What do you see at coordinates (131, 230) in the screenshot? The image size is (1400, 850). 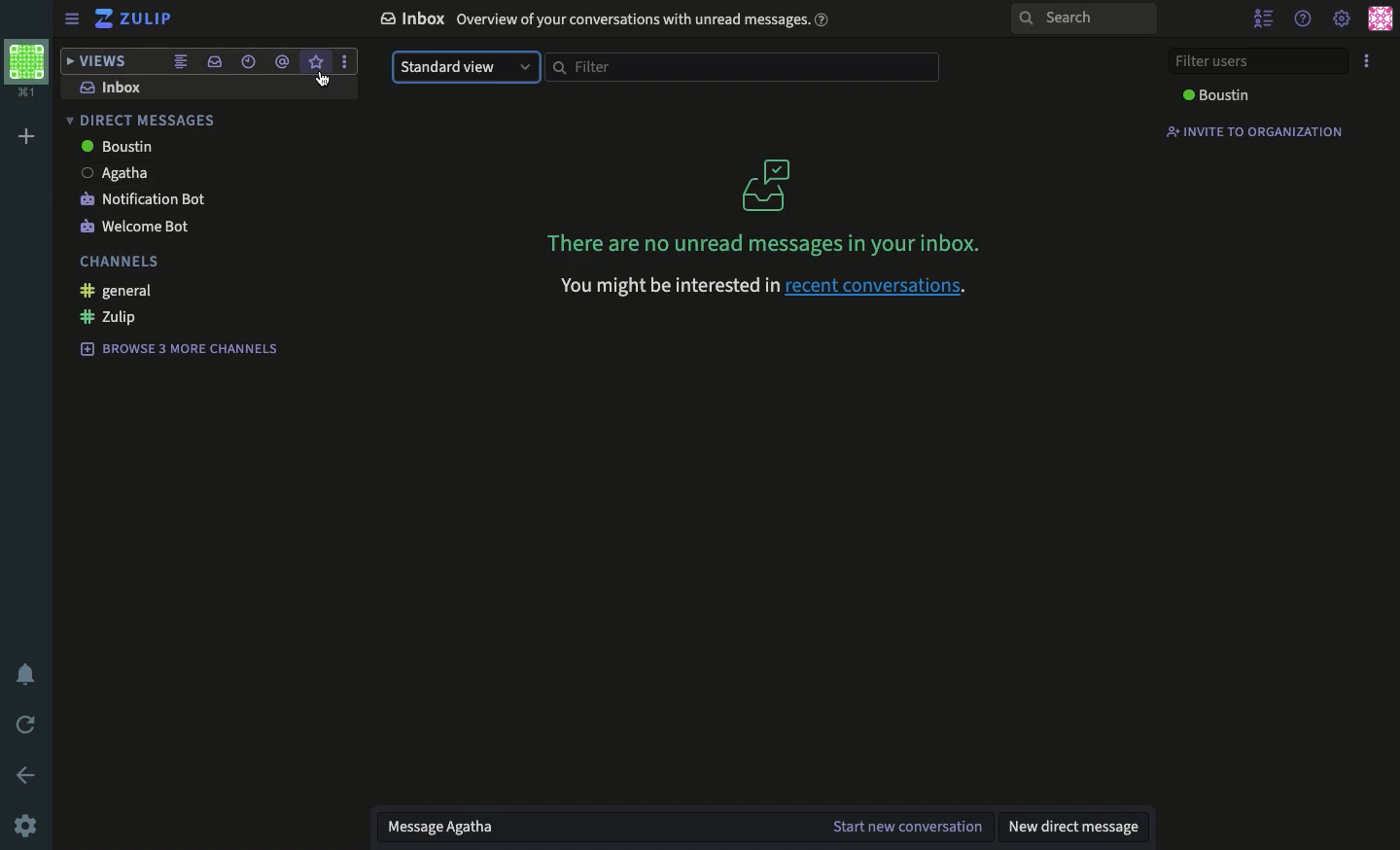 I see `welcome bot` at bounding box center [131, 230].